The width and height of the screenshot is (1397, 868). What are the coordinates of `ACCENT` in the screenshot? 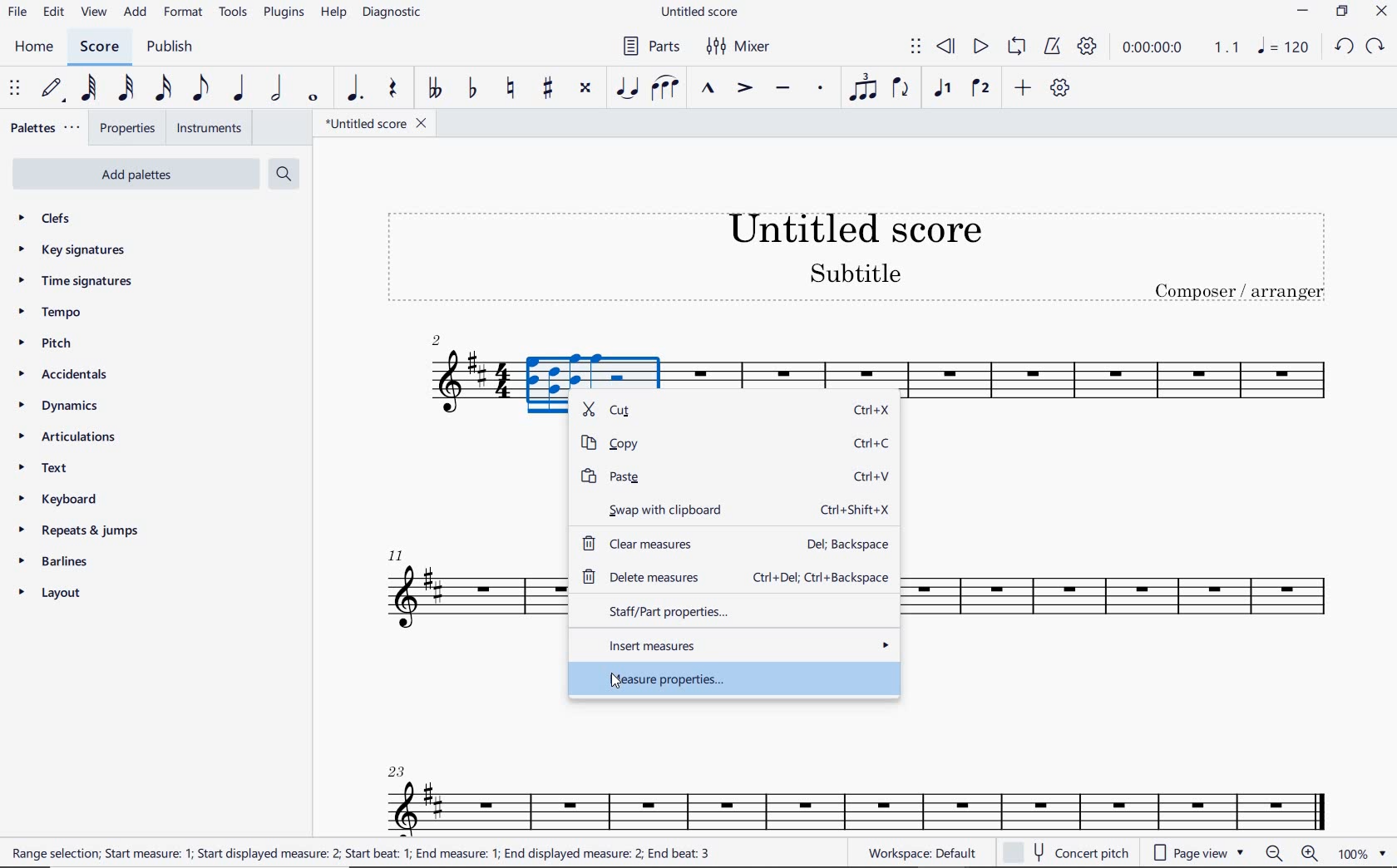 It's located at (743, 90).